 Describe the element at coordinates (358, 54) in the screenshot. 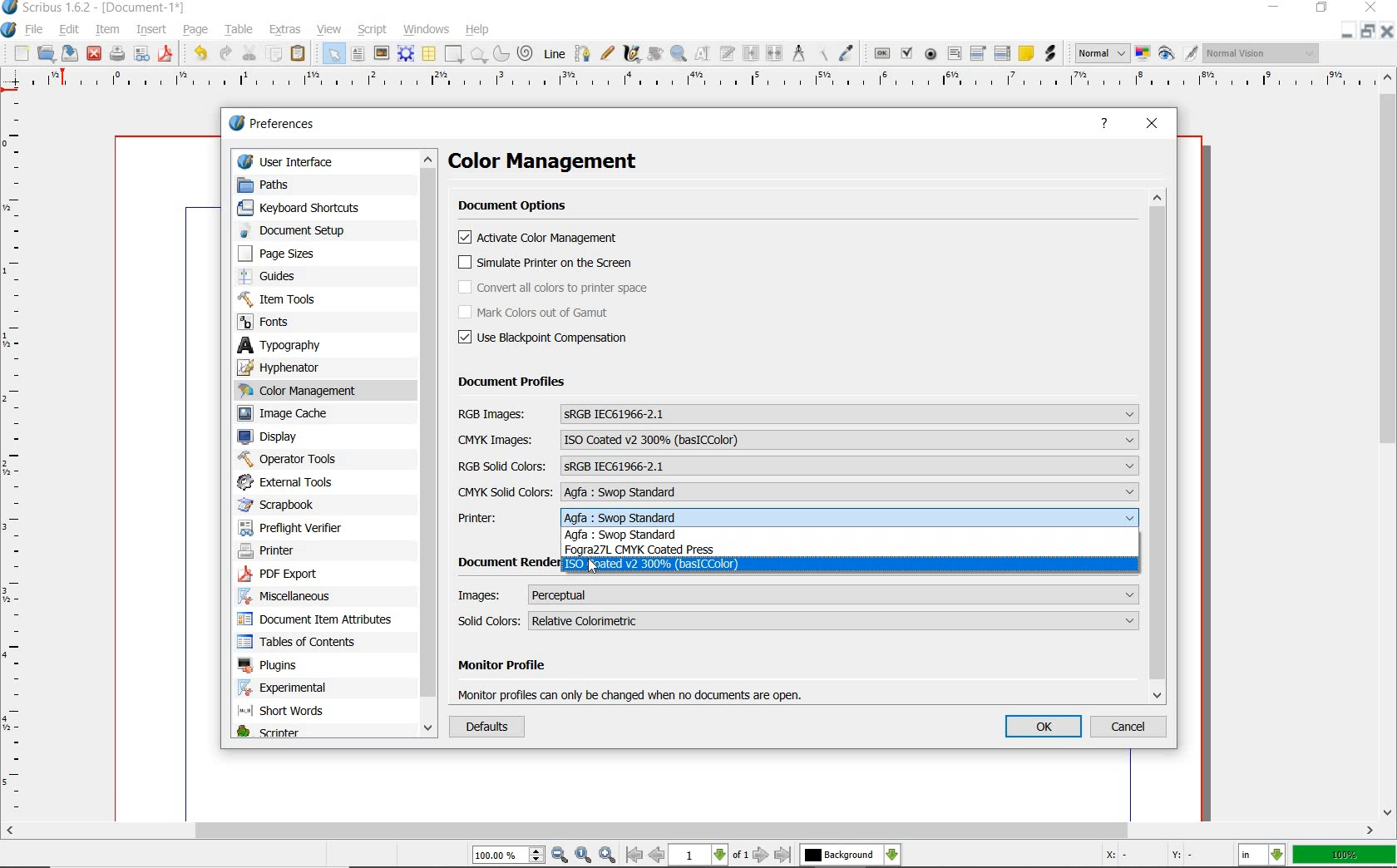

I see `text frame` at that location.